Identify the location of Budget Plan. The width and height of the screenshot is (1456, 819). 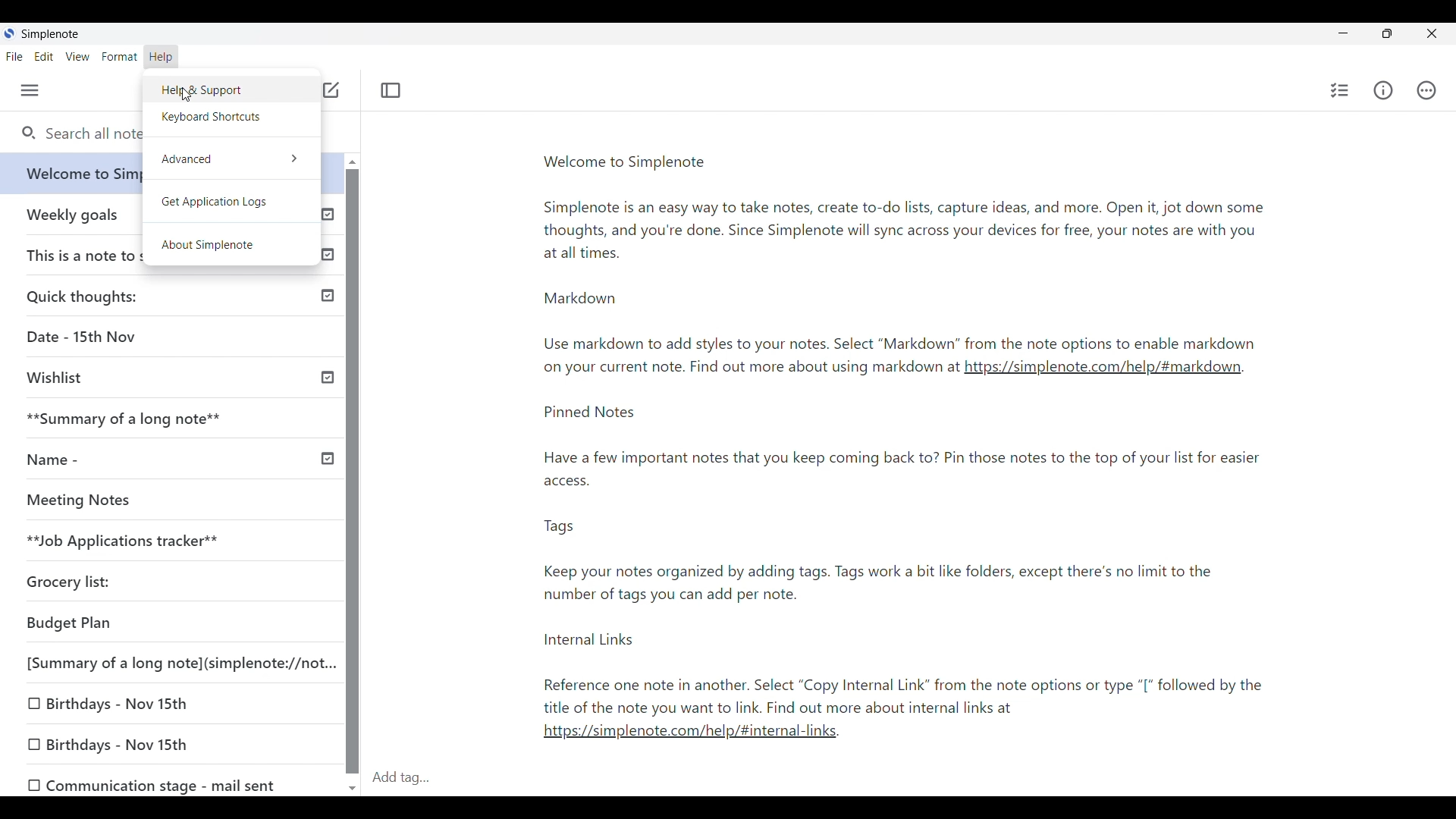
(69, 623).